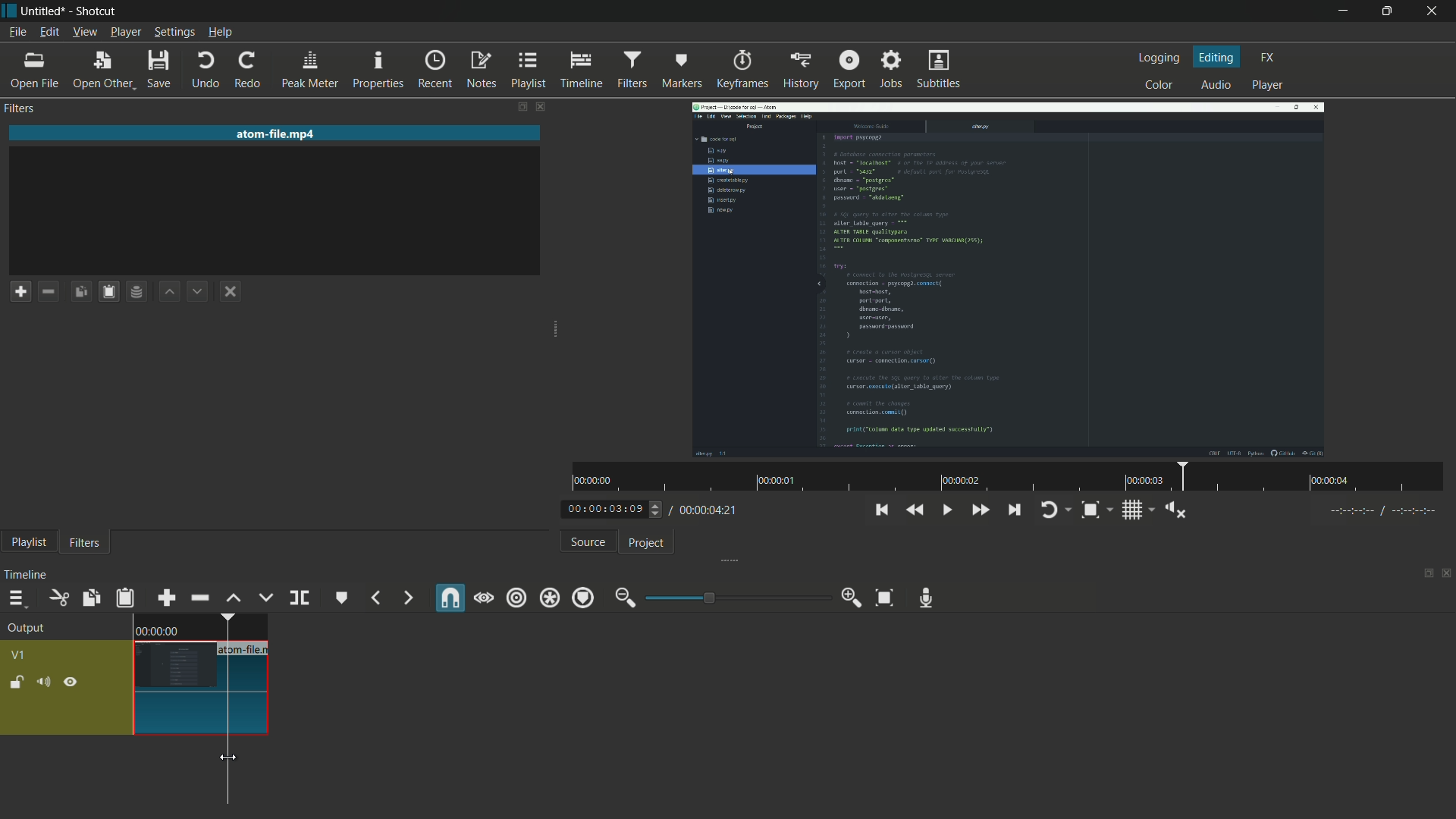  Describe the element at coordinates (434, 69) in the screenshot. I see `recent` at that location.